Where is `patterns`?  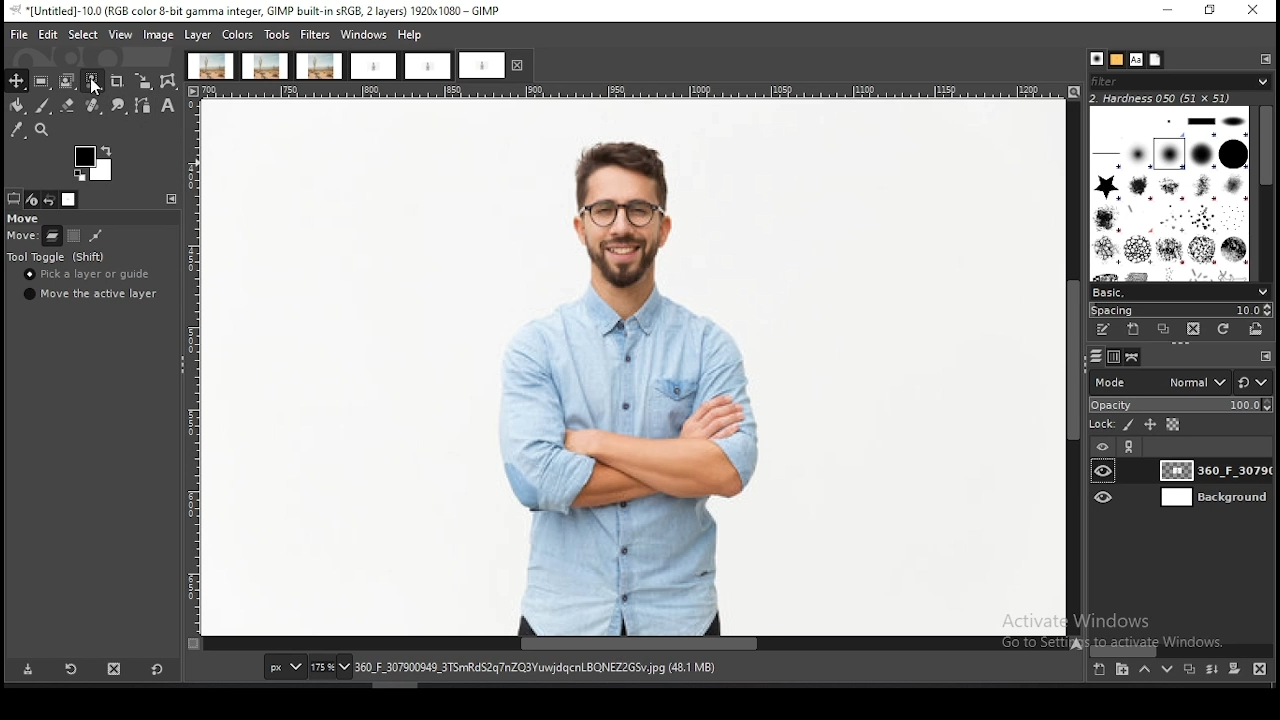 patterns is located at coordinates (1118, 60).